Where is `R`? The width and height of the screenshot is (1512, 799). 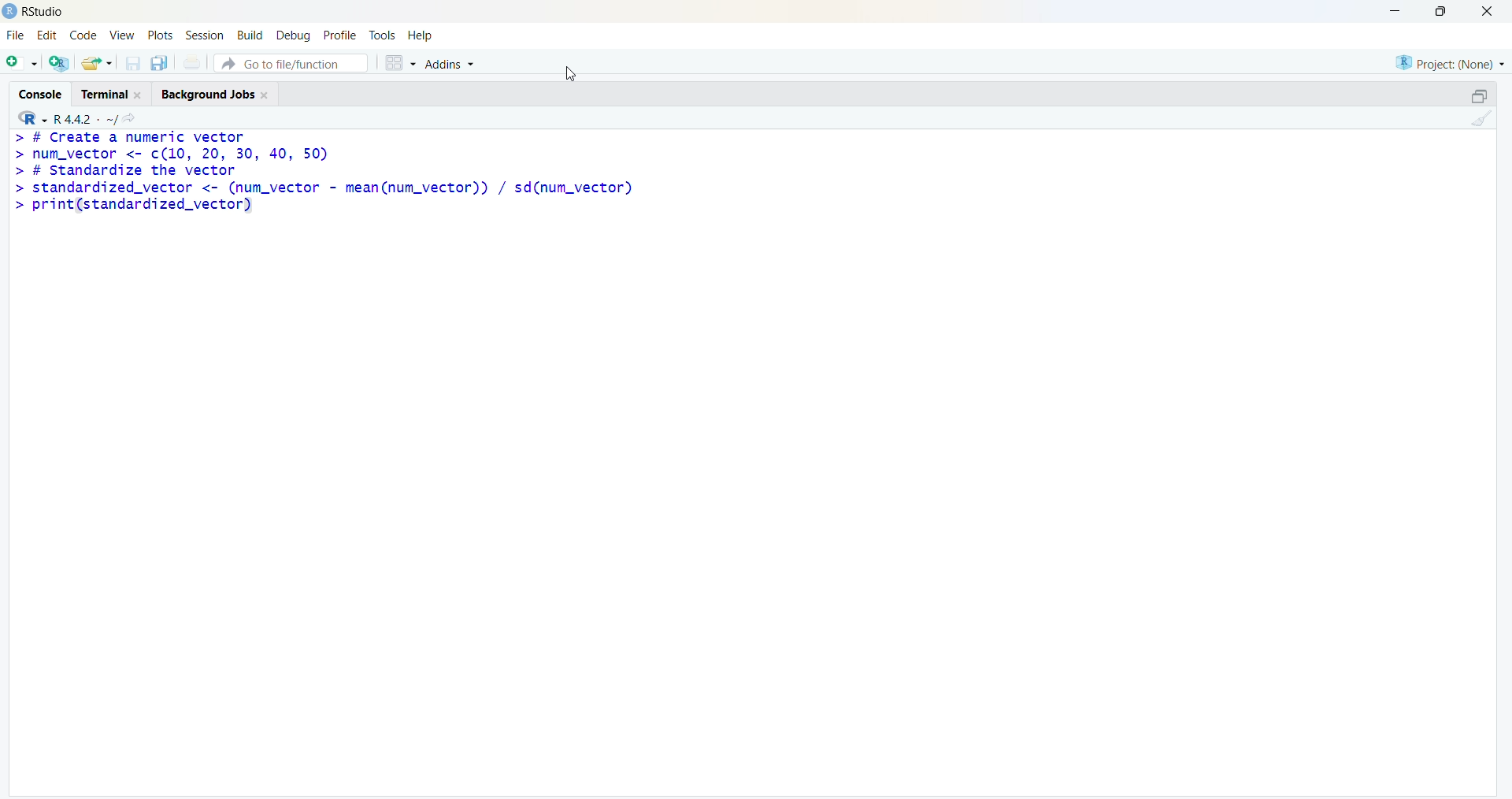 R is located at coordinates (31, 118).